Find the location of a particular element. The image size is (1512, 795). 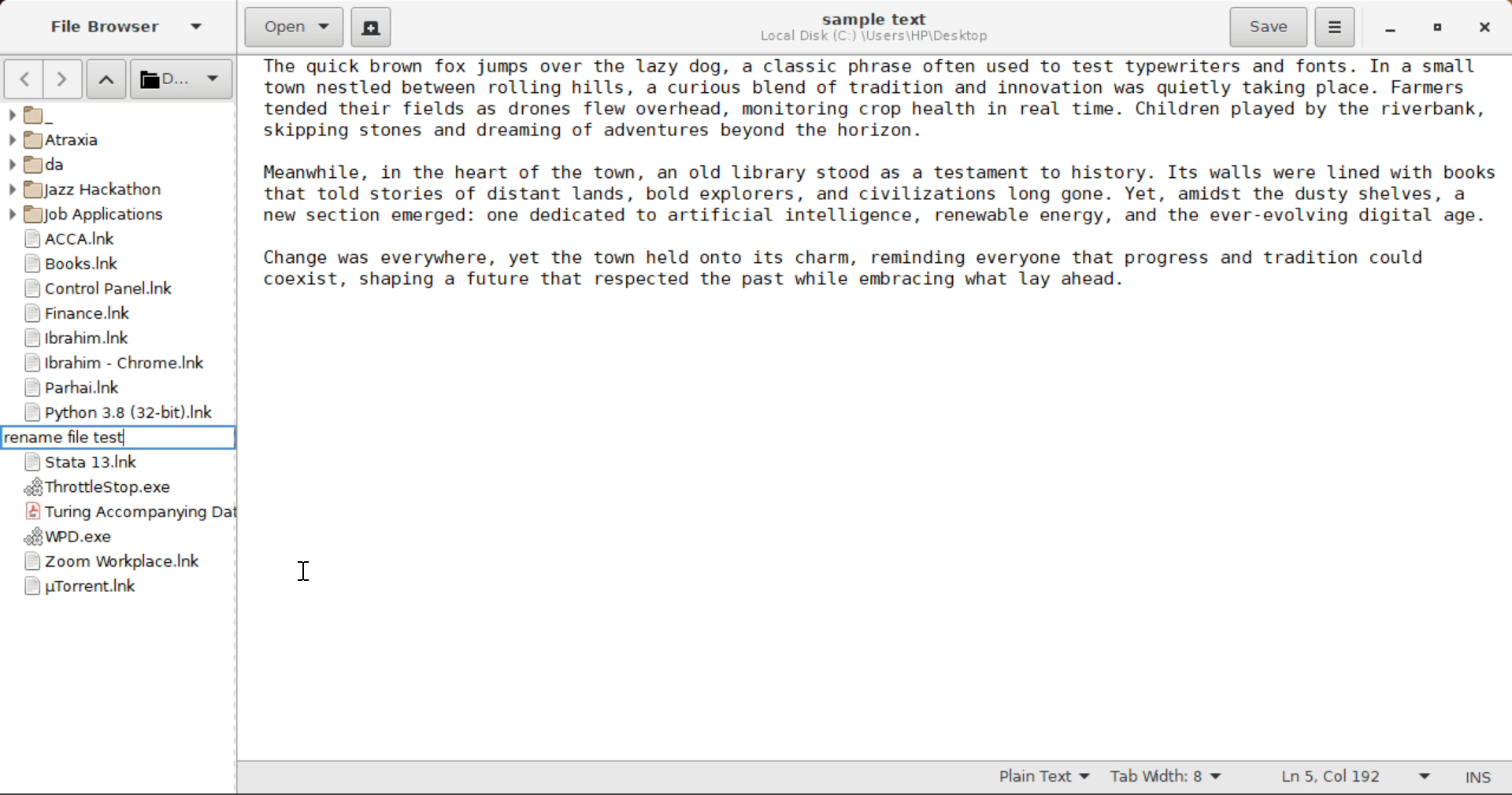

Minimize is located at coordinates (1432, 28).